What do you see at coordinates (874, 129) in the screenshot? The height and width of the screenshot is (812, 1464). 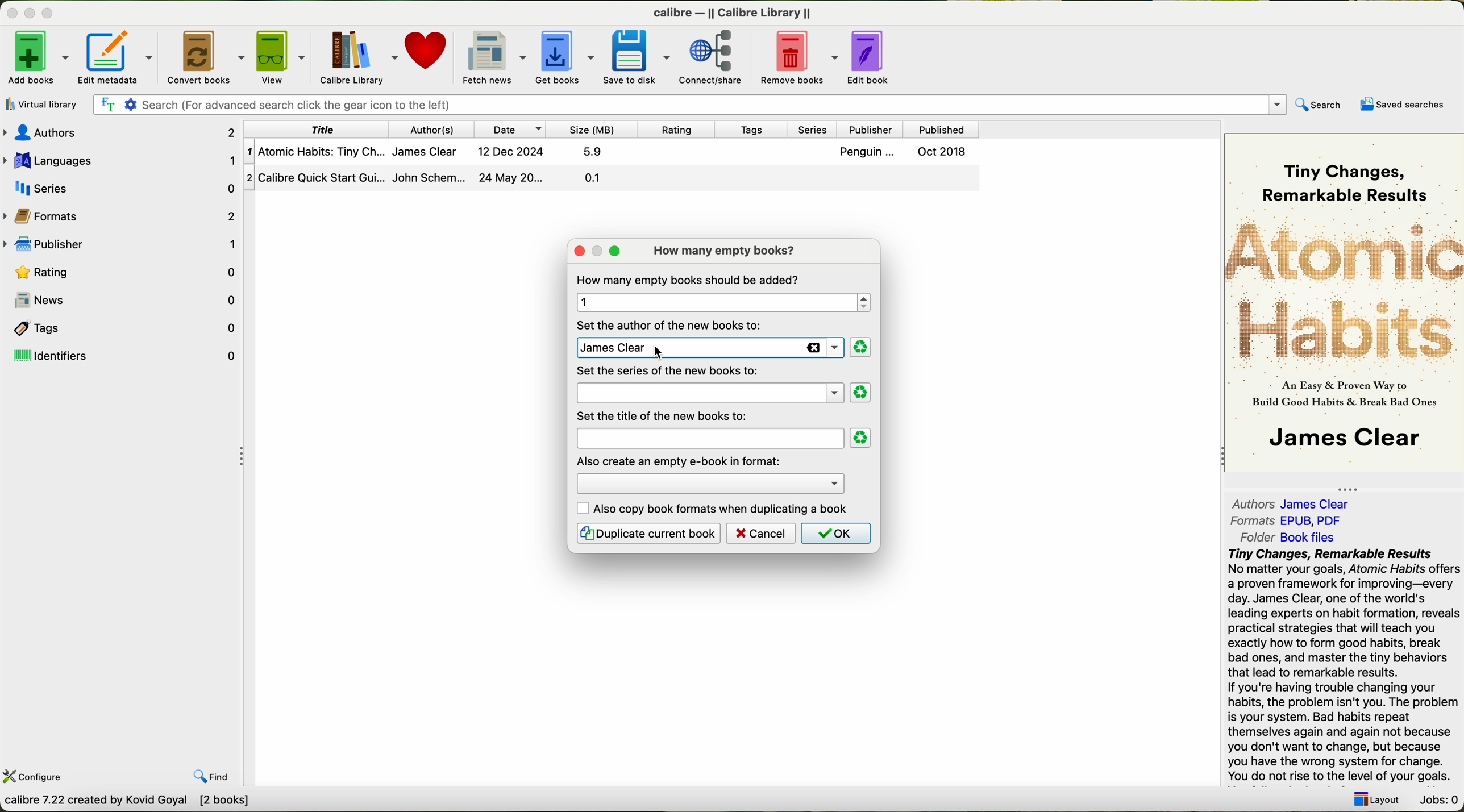 I see `publisher` at bounding box center [874, 129].